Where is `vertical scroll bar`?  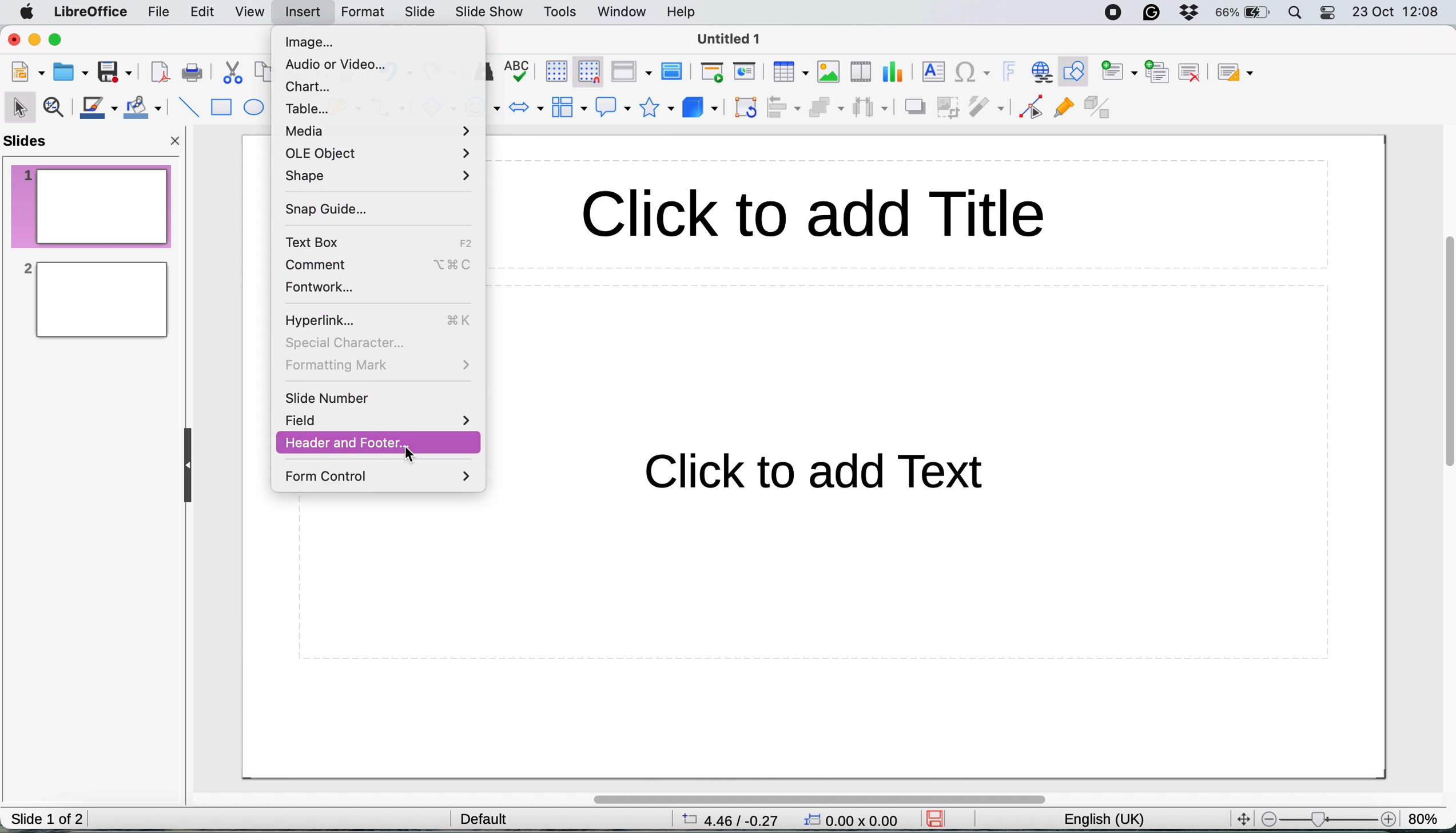 vertical scroll bar is located at coordinates (1442, 363).